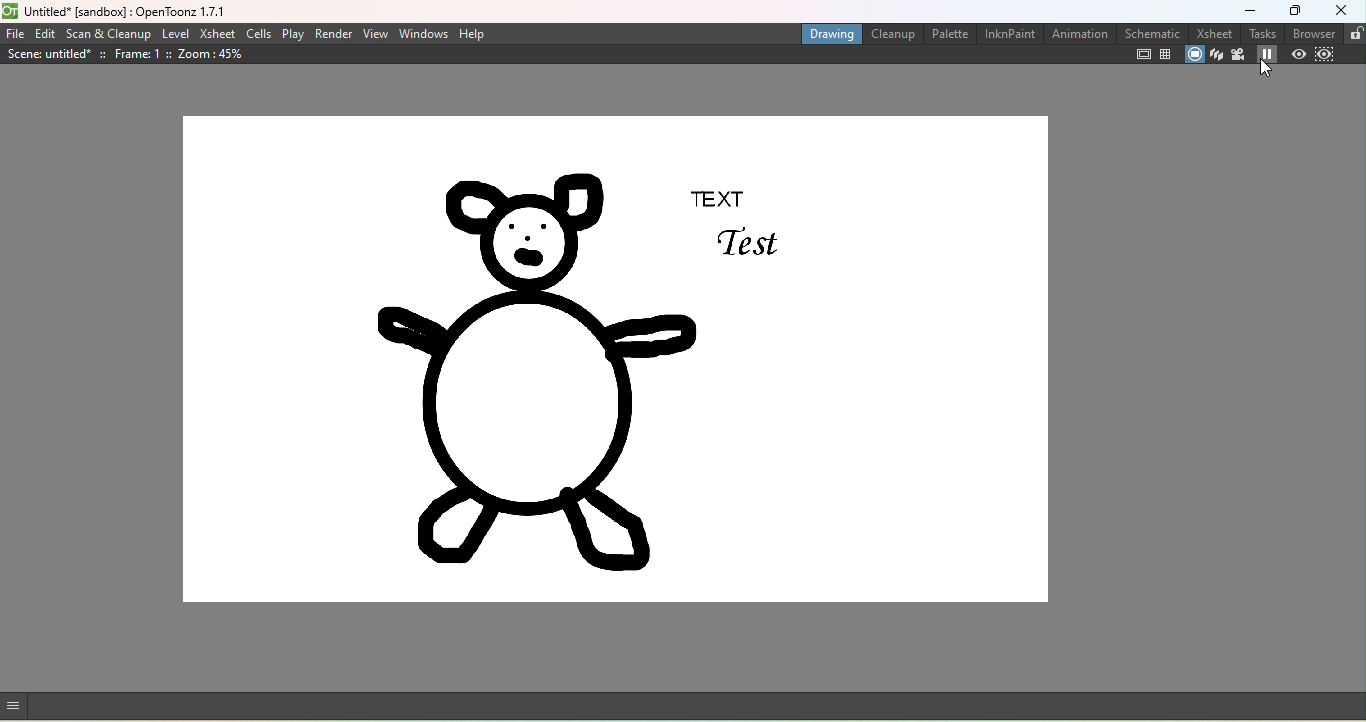 The width and height of the screenshot is (1366, 722). Describe the element at coordinates (948, 35) in the screenshot. I see `Palette` at that location.